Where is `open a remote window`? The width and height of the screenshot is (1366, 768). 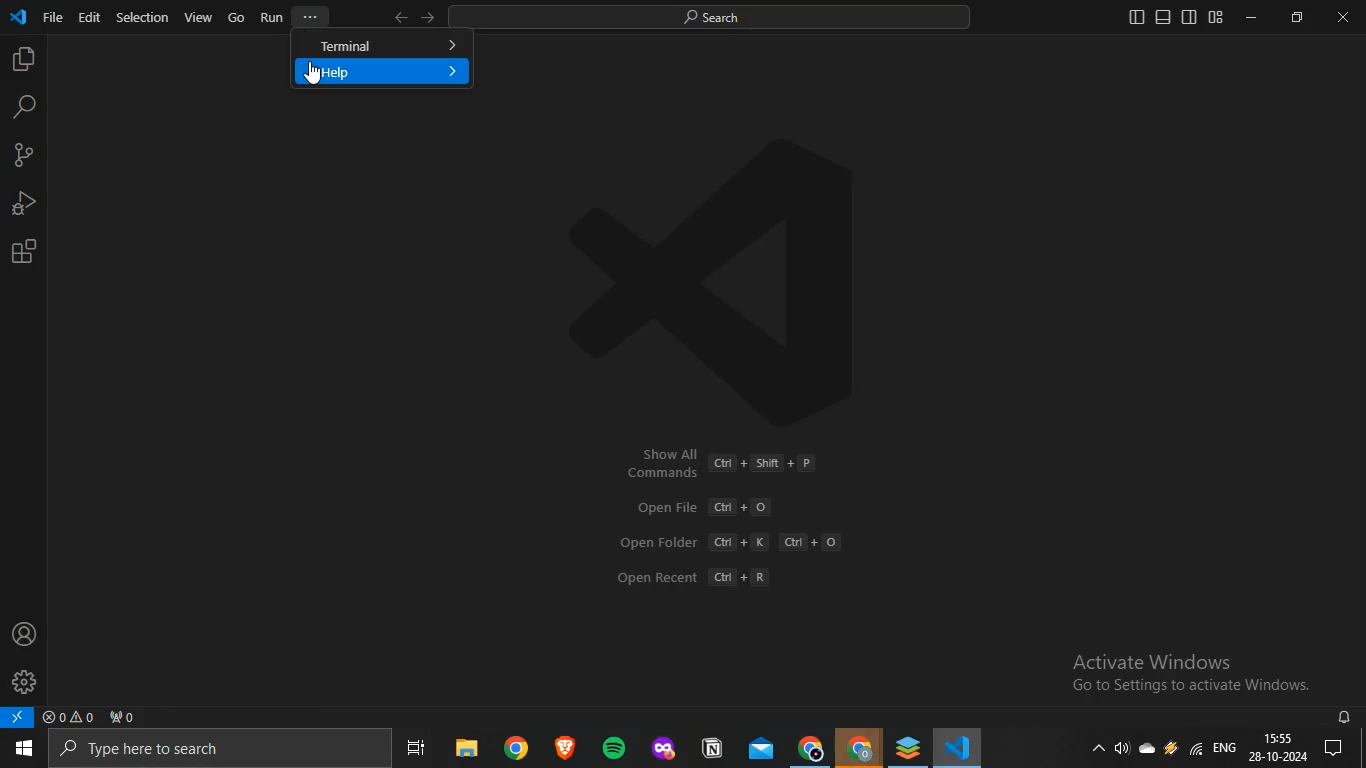 open a remote window is located at coordinates (19, 718).